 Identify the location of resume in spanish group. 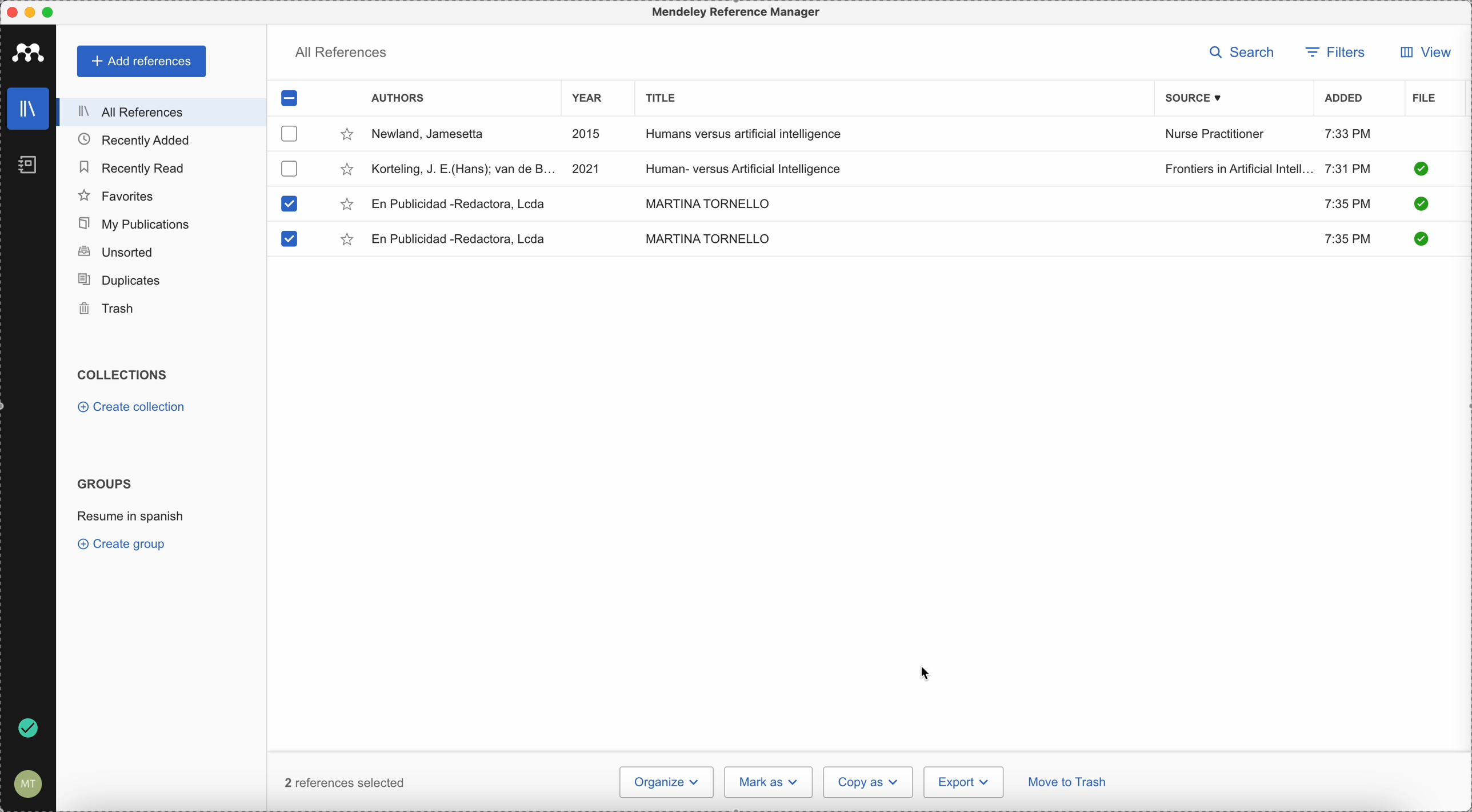
(133, 515).